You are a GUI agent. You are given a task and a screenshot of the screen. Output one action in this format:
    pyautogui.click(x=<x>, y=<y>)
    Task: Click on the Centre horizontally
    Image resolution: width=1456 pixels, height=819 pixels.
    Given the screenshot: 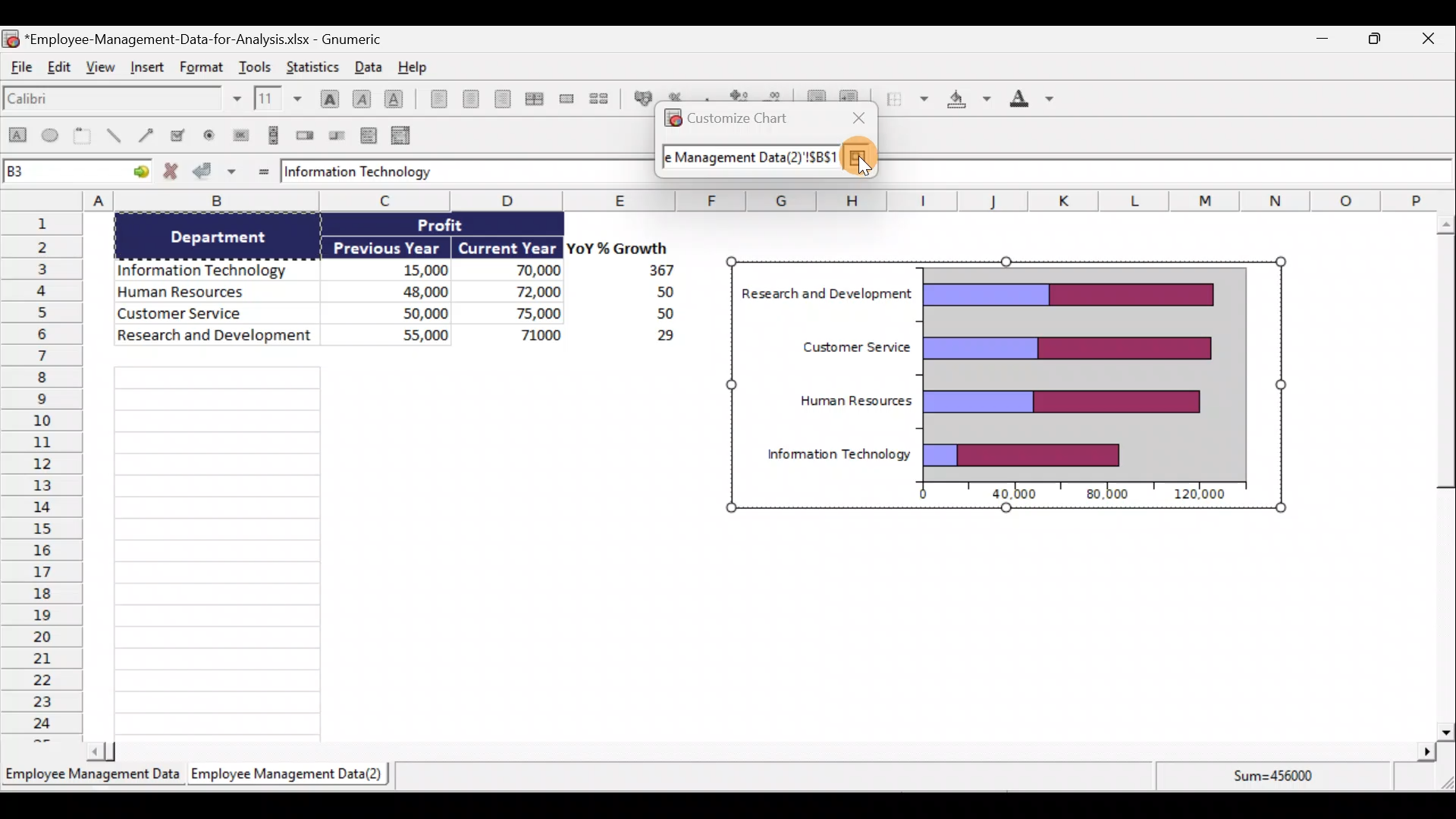 What is the action you would take?
    pyautogui.click(x=475, y=101)
    